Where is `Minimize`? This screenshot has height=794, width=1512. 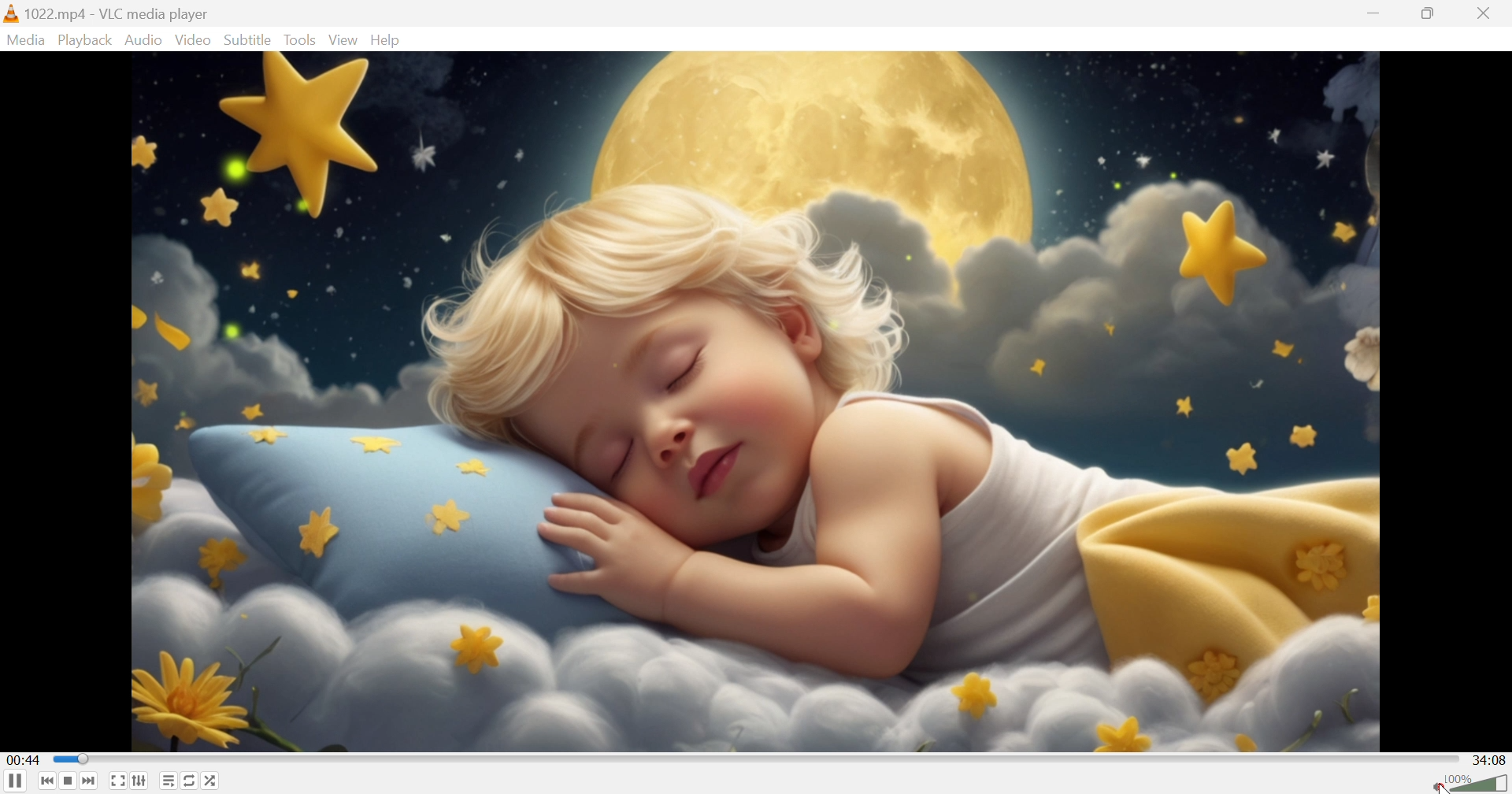
Minimize is located at coordinates (1378, 11).